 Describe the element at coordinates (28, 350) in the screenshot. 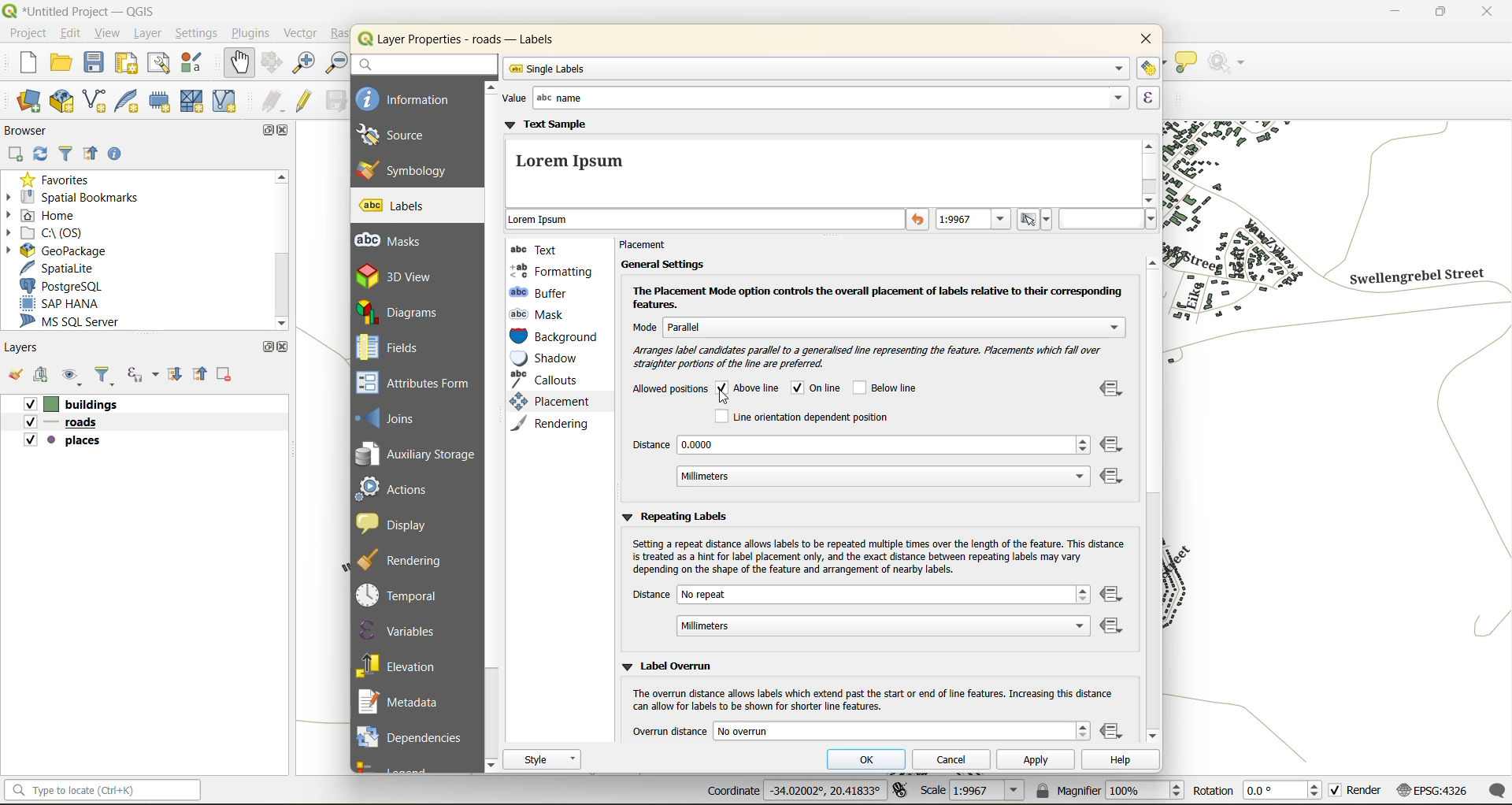

I see `layers` at that location.